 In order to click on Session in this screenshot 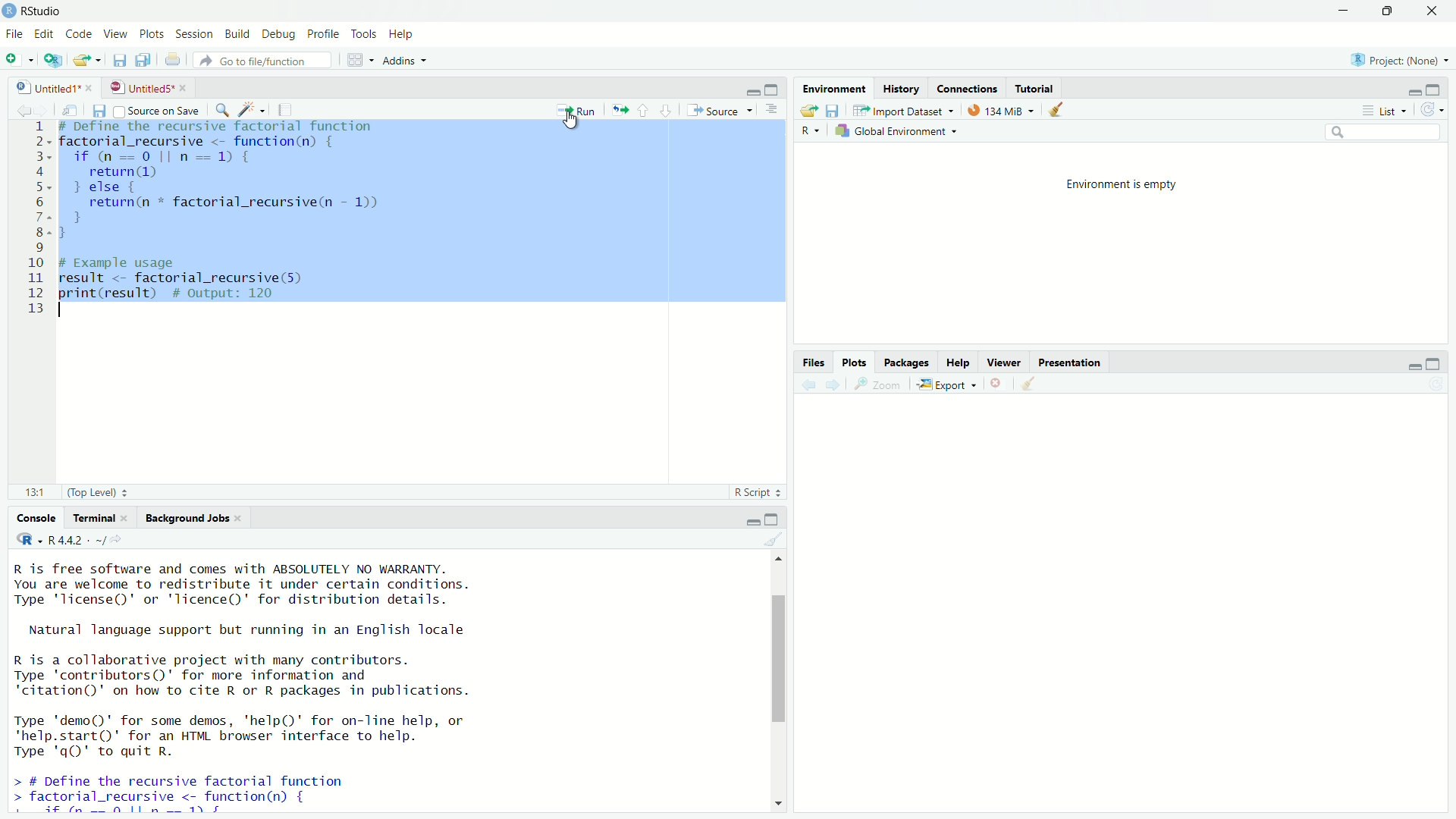, I will do `click(193, 35)`.